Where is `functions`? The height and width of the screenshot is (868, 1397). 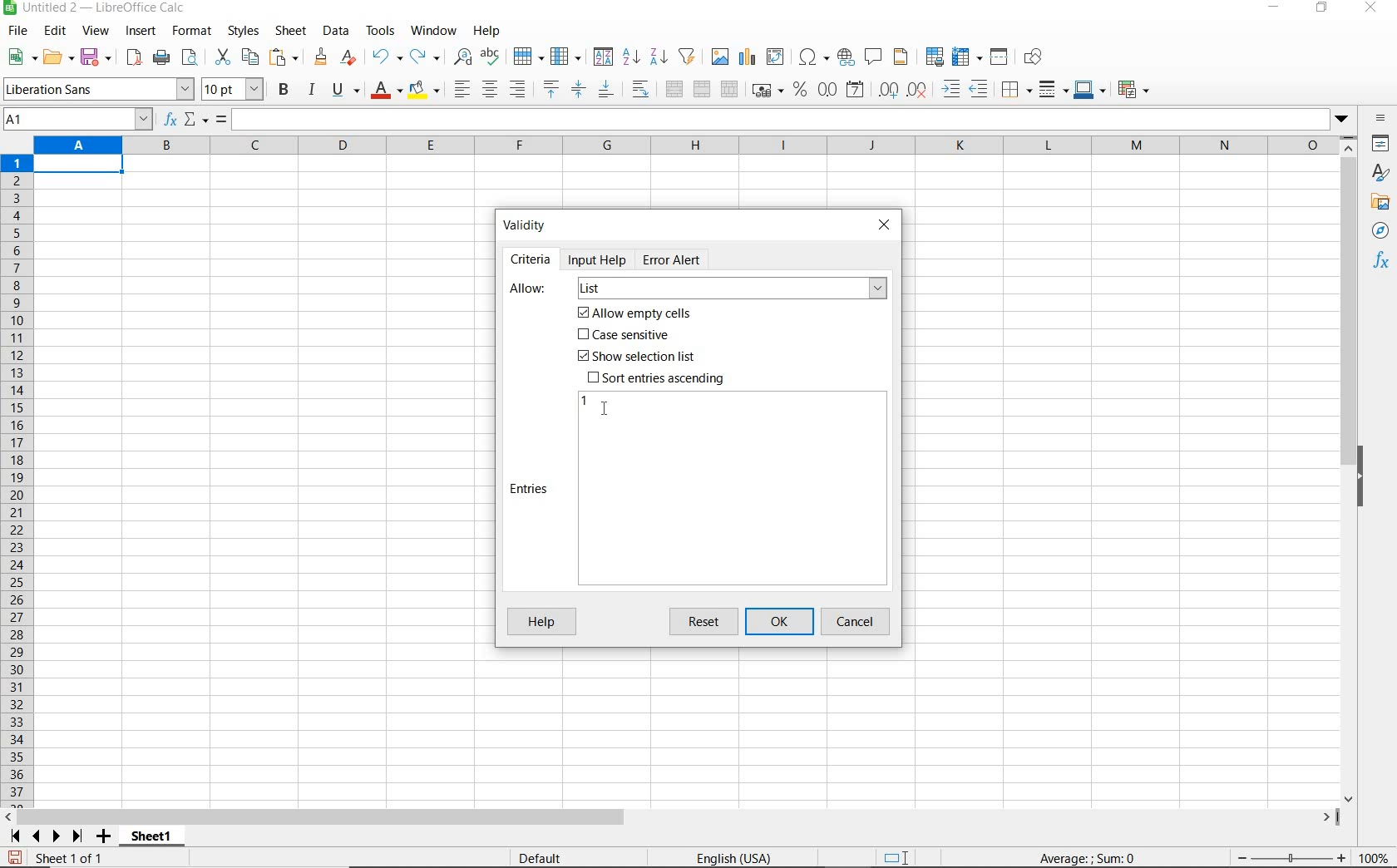
functions is located at coordinates (1384, 262).